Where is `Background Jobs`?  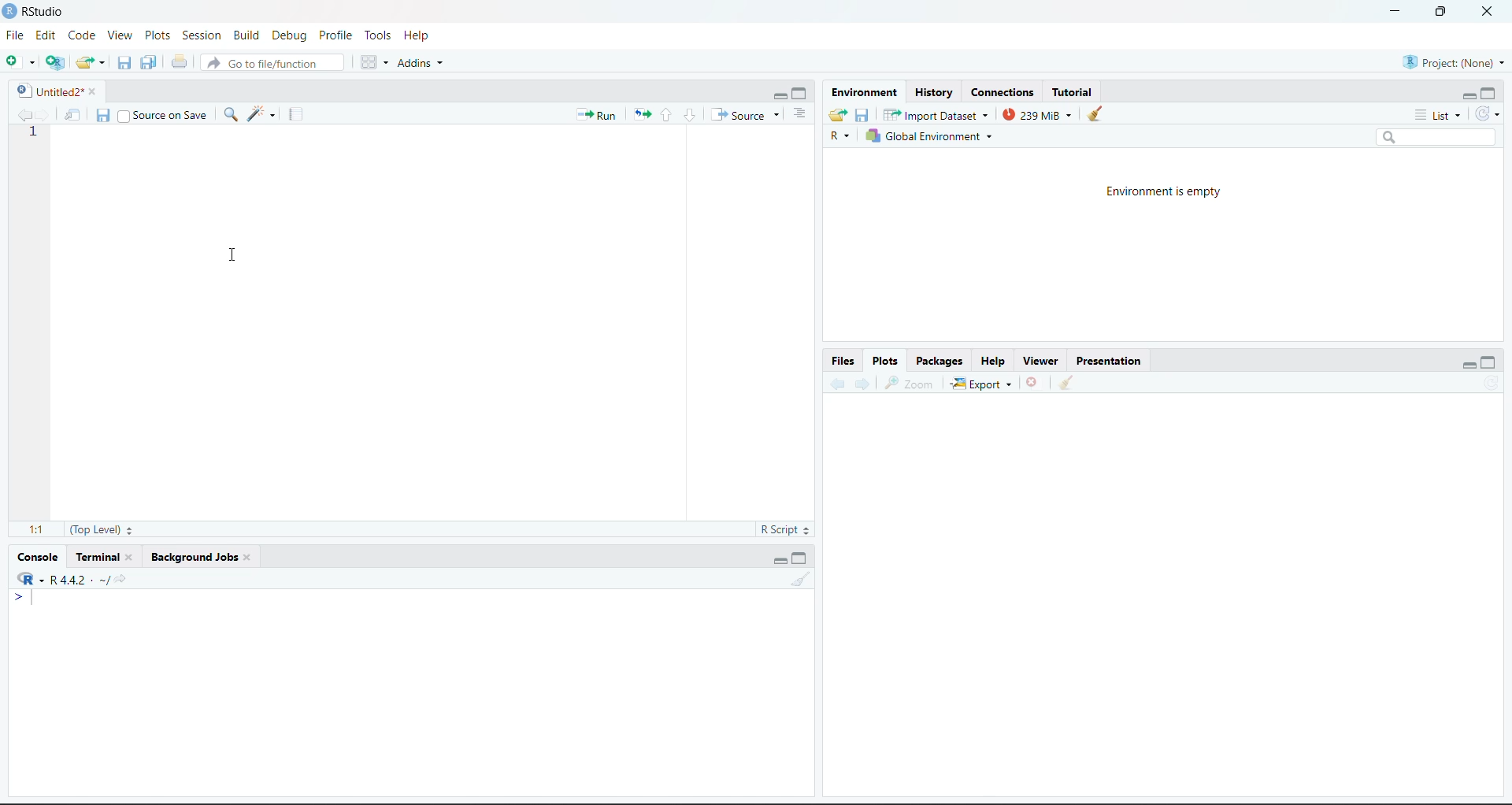 Background Jobs is located at coordinates (195, 556).